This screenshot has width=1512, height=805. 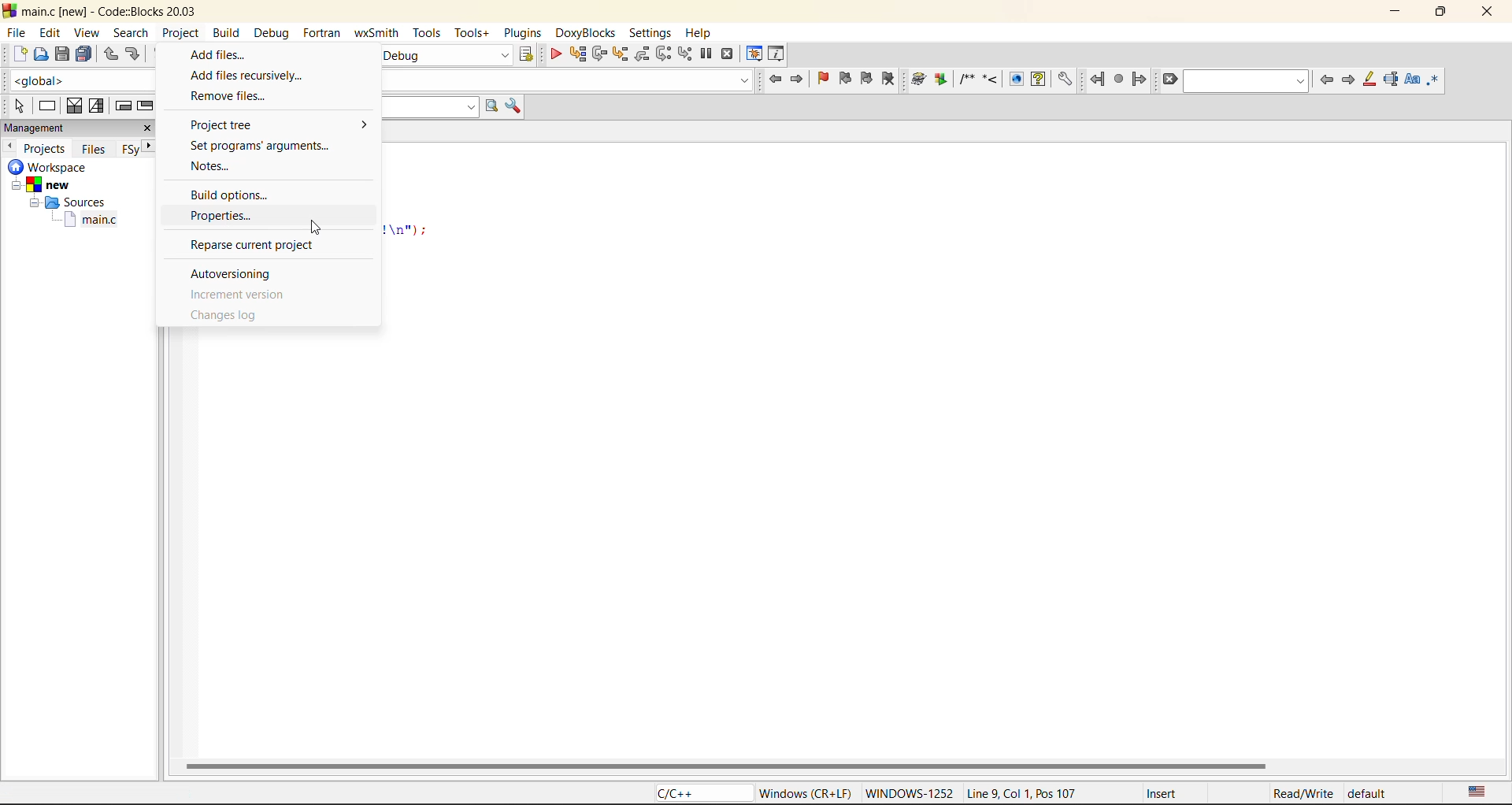 What do you see at coordinates (239, 296) in the screenshot?
I see `increment version` at bounding box center [239, 296].